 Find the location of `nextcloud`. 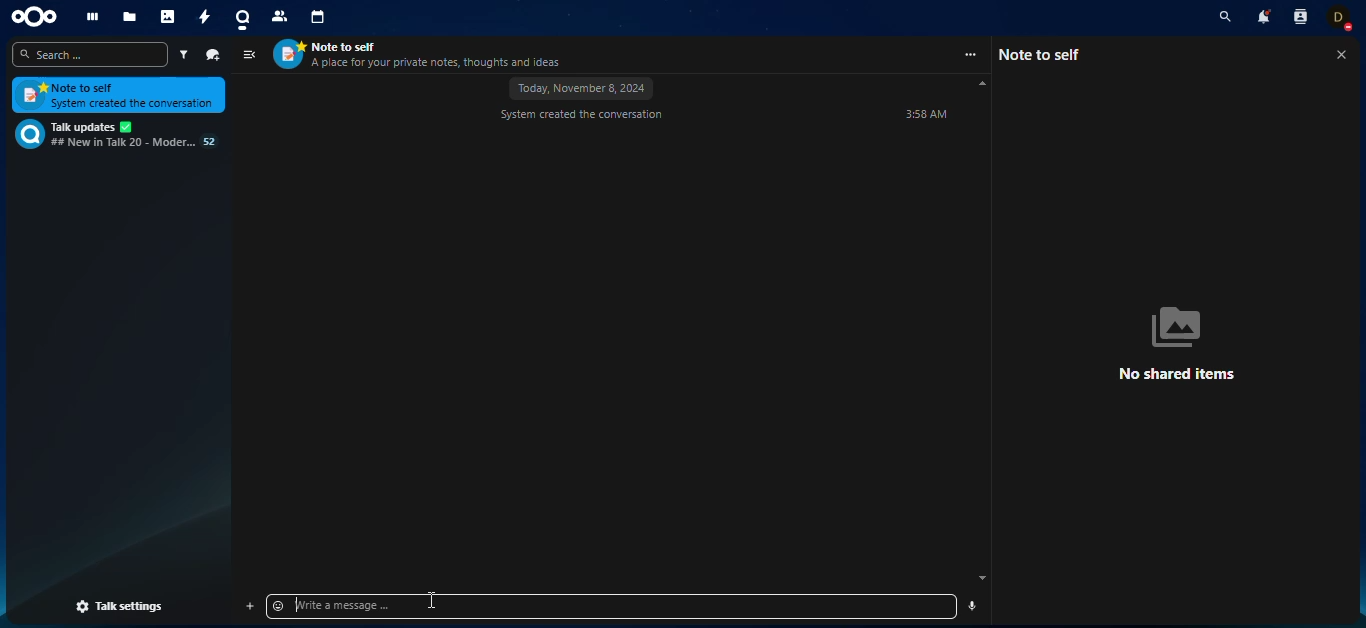

nextcloud is located at coordinates (40, 17).